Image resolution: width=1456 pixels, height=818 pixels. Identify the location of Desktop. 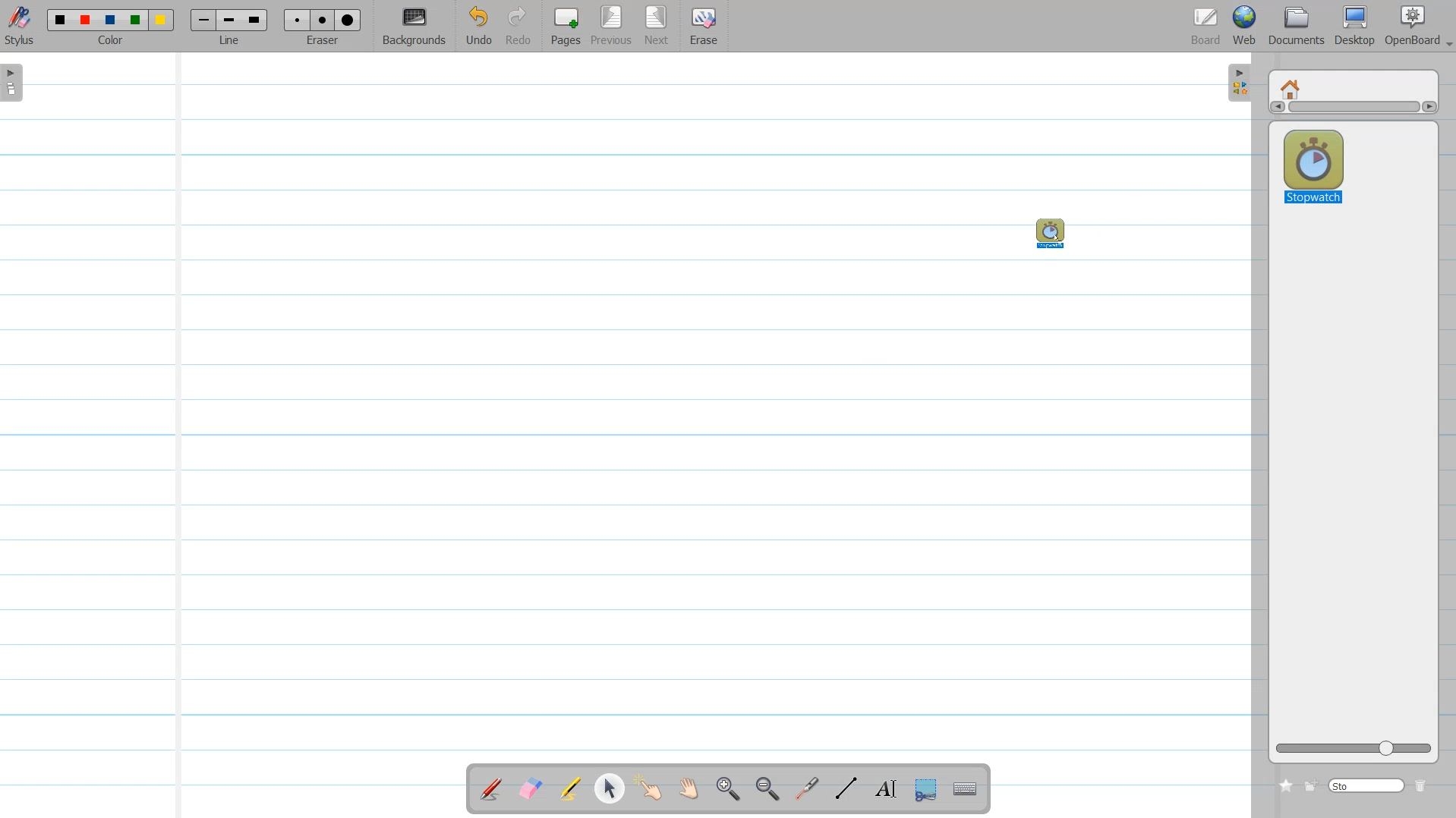
(1357, 26).